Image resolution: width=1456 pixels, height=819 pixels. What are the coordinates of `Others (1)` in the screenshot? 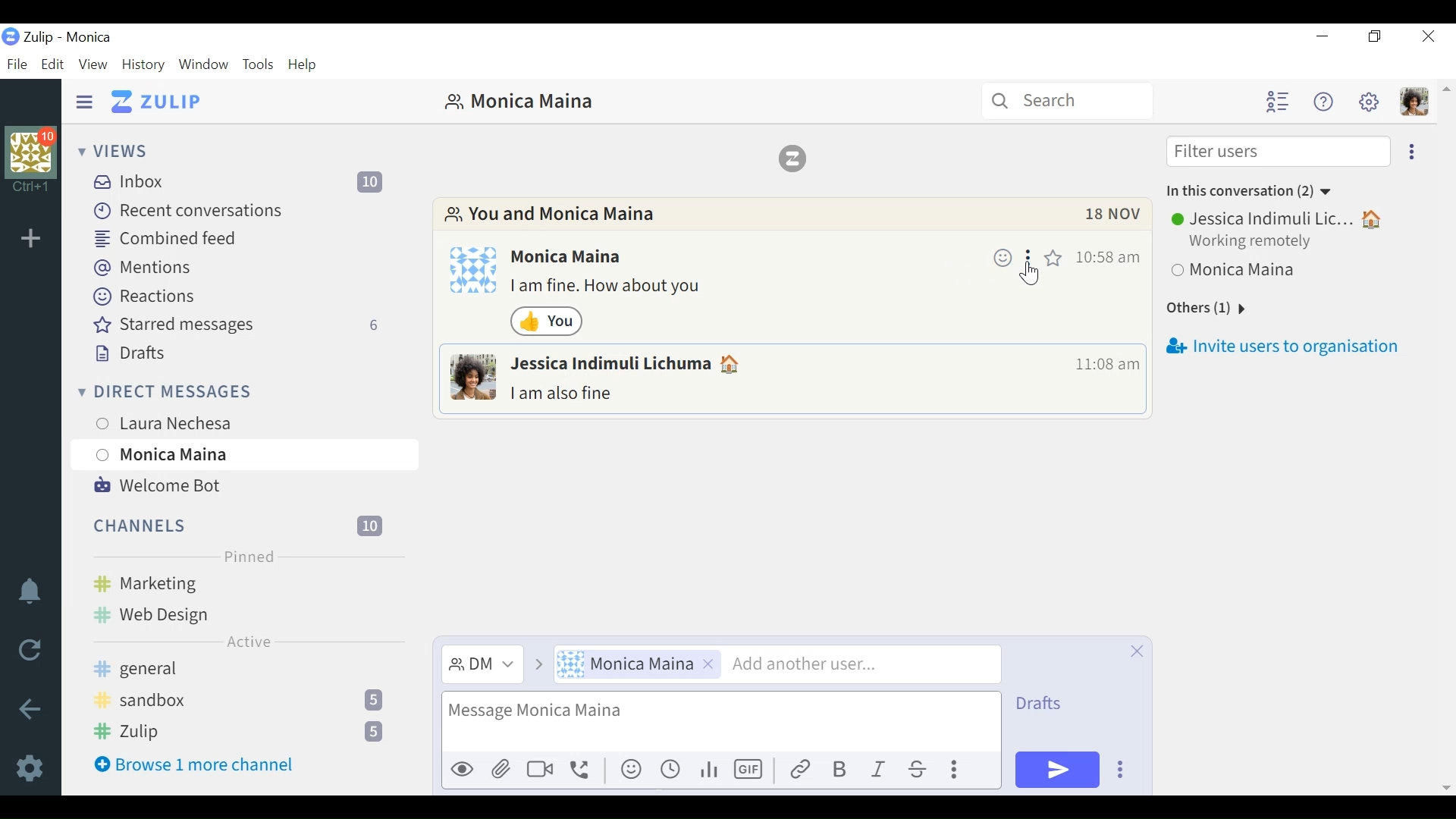 It's located at (1220, 309).